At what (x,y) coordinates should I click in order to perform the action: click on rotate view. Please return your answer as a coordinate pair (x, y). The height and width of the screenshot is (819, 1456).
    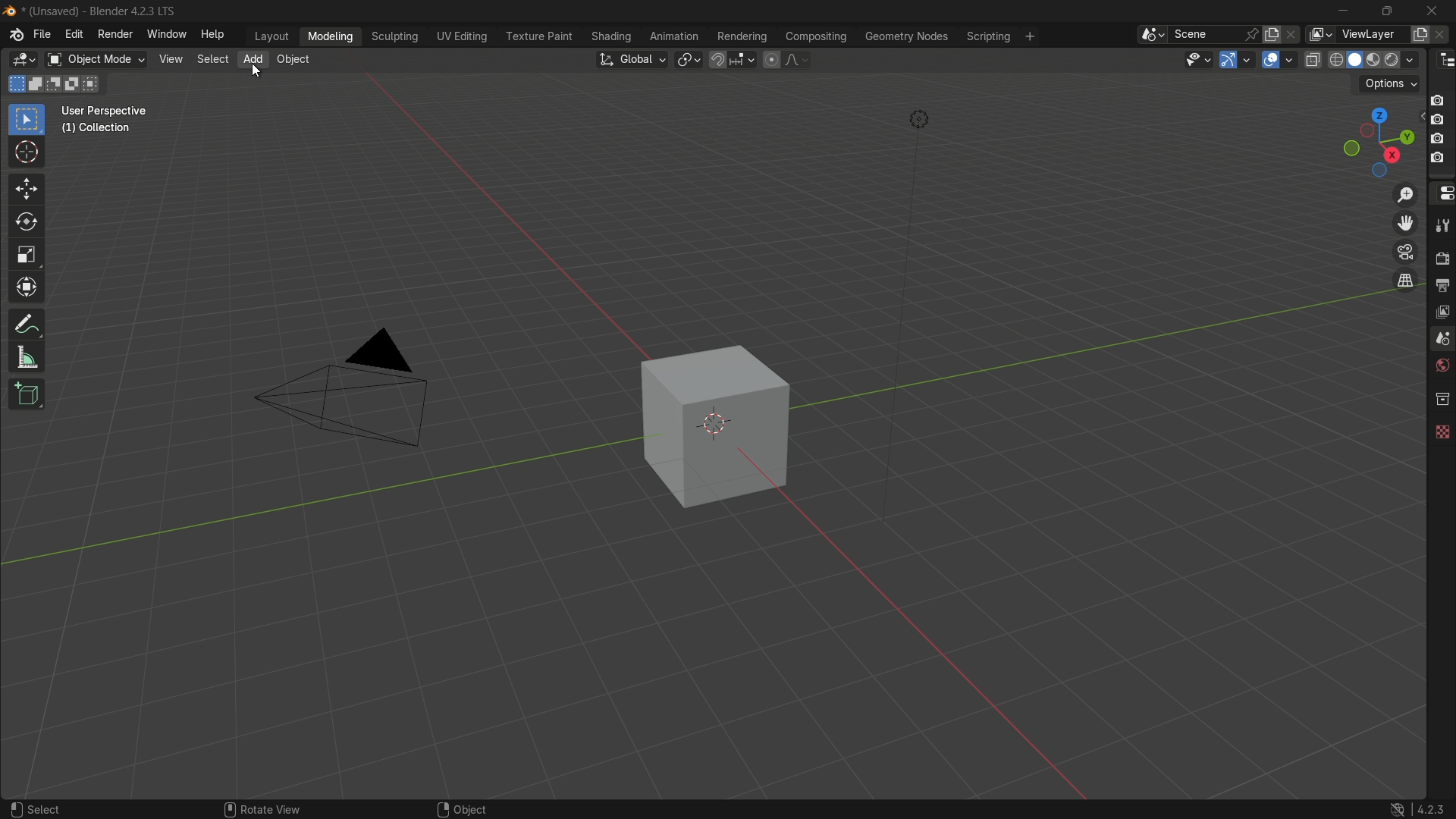
    Looking at the image, I should click on (259, 810).